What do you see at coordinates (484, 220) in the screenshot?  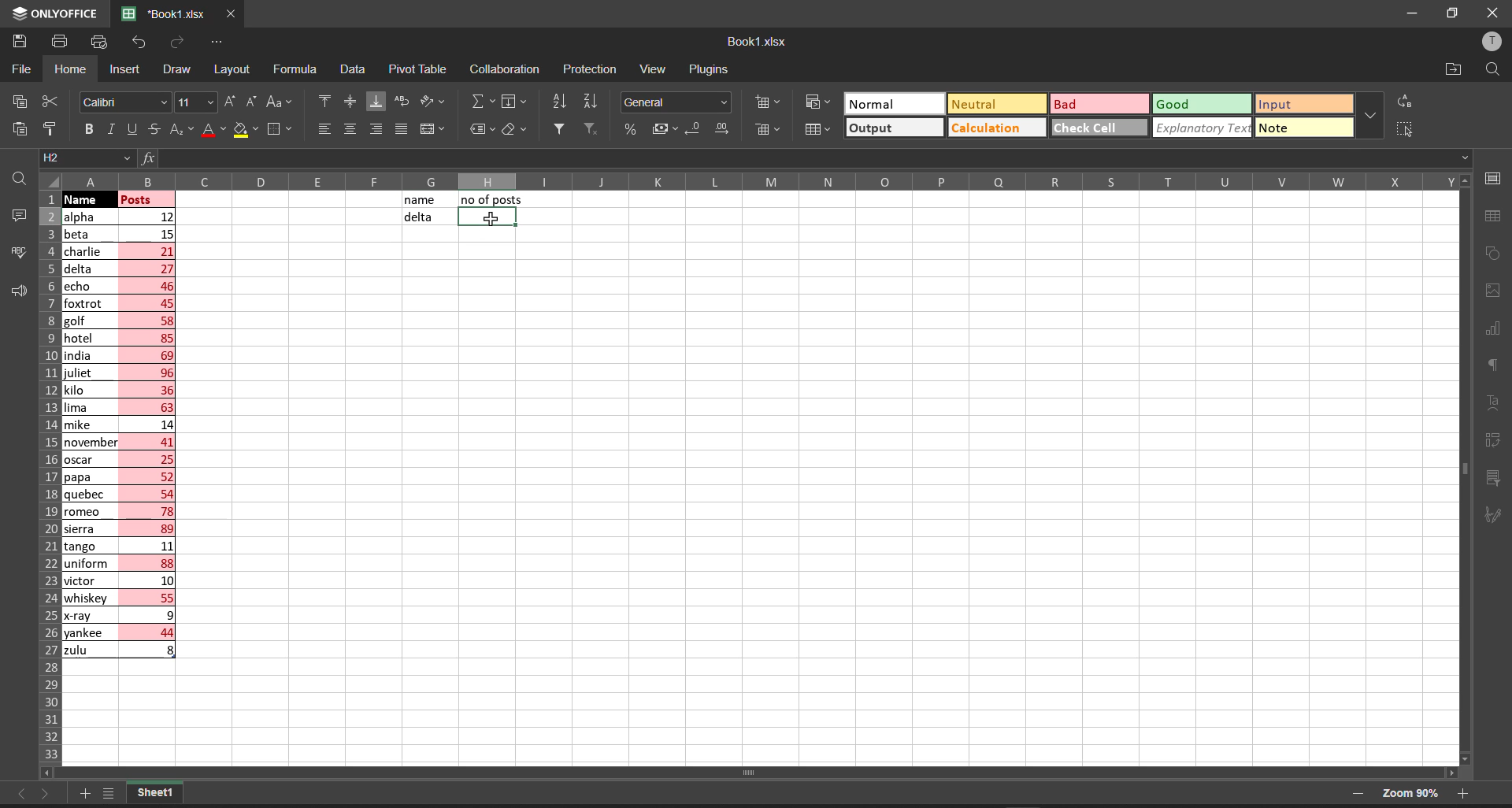 I see `cell select` at bounding box center [484, 220].